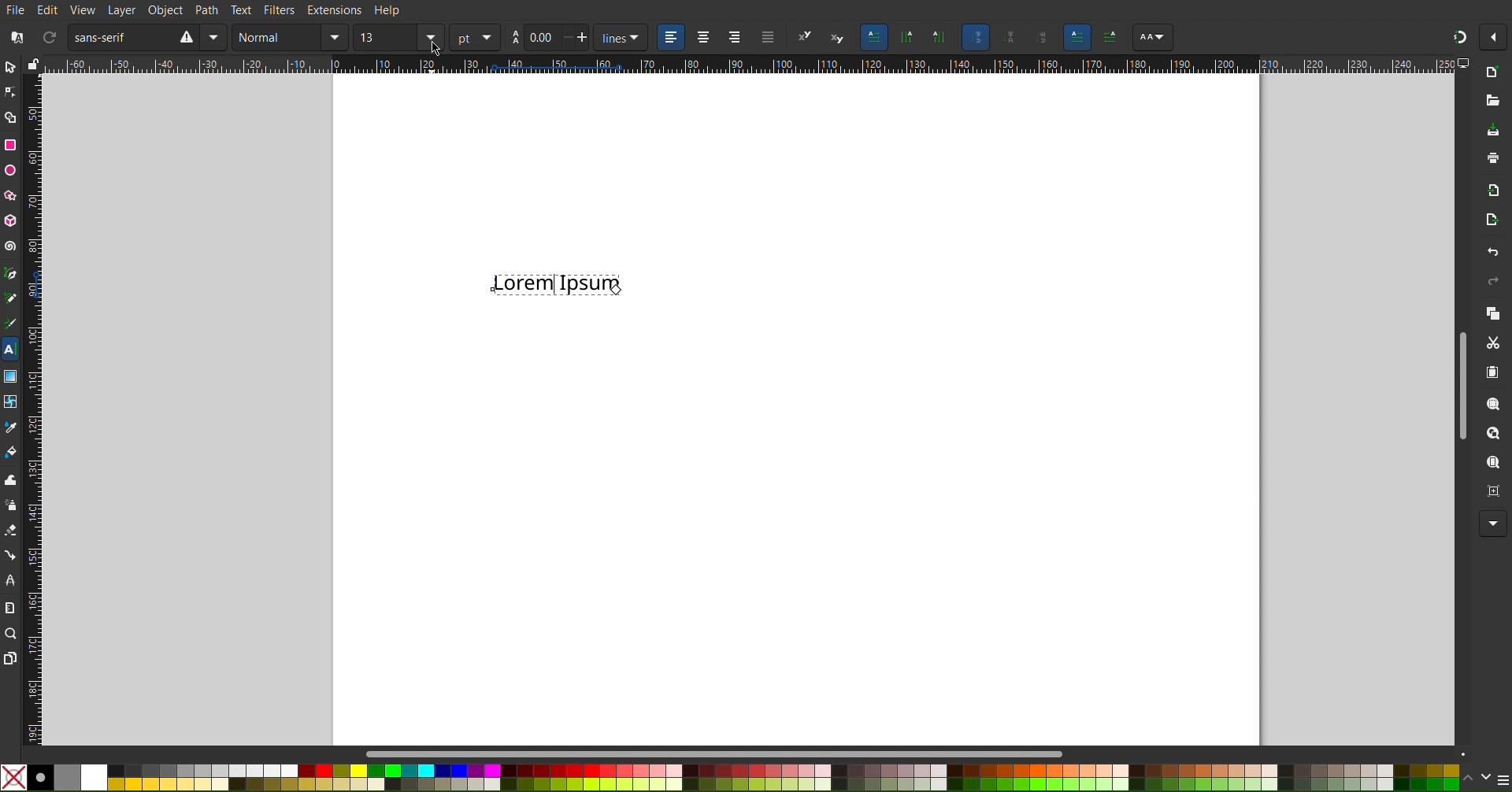  Describe the element at coordinates (1459, 37) in the screenshot. I see `Snapping` at that location.